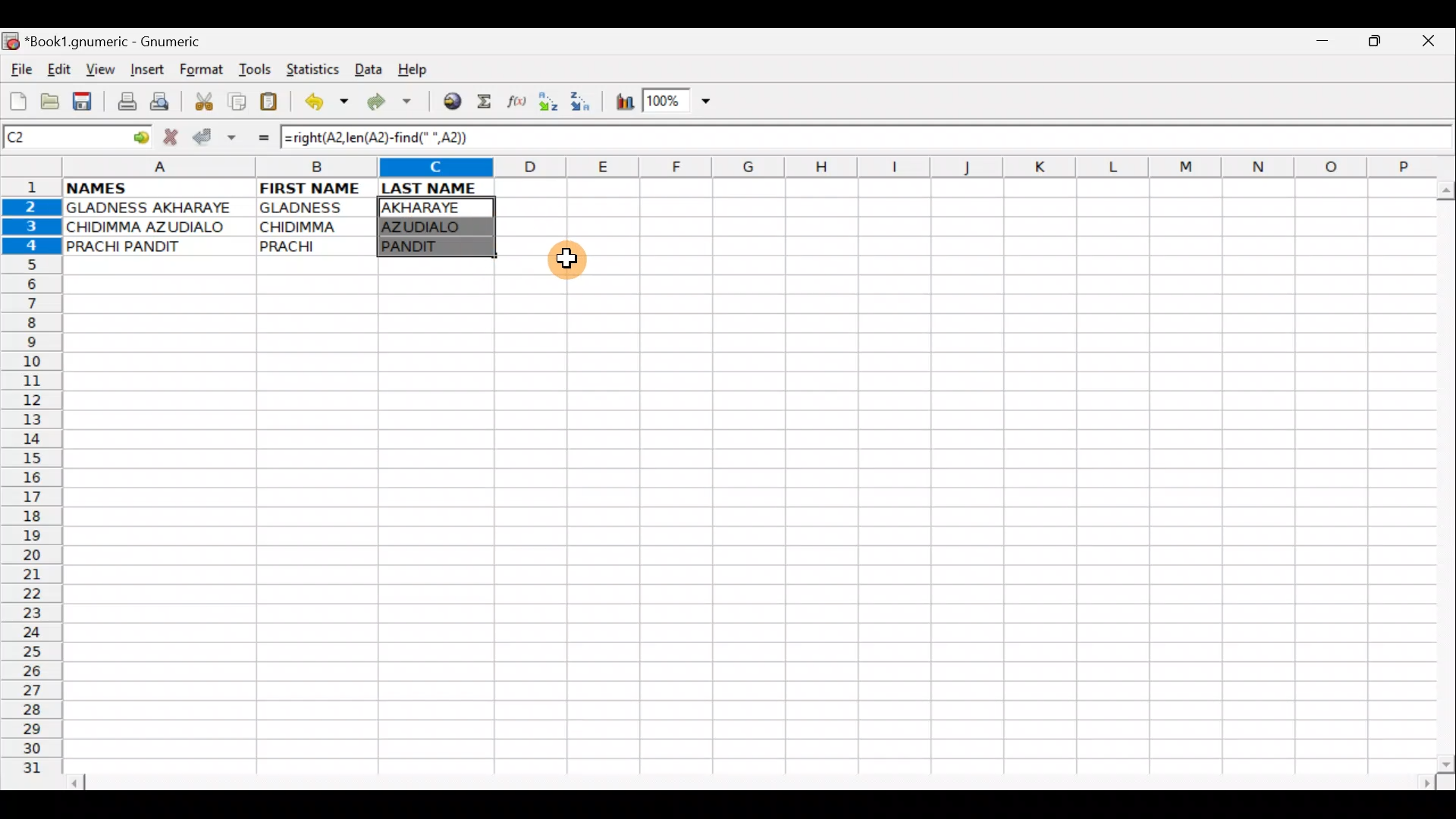  Describe the element at coordinates (620, 104) in the screenshot. I see `Insert Chart` at that location.